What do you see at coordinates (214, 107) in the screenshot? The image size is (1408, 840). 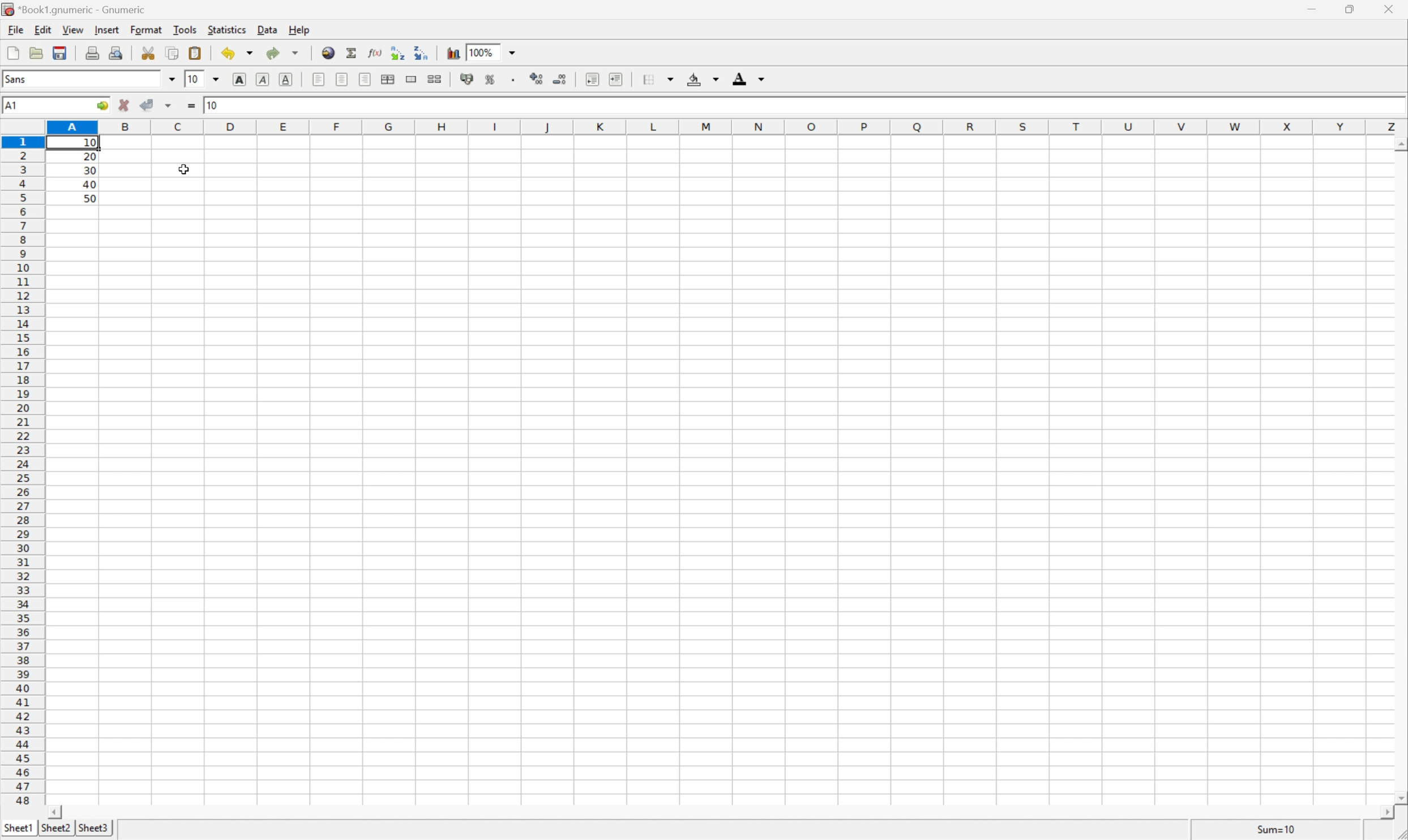 I see `10` at bounding box center [214, 107].